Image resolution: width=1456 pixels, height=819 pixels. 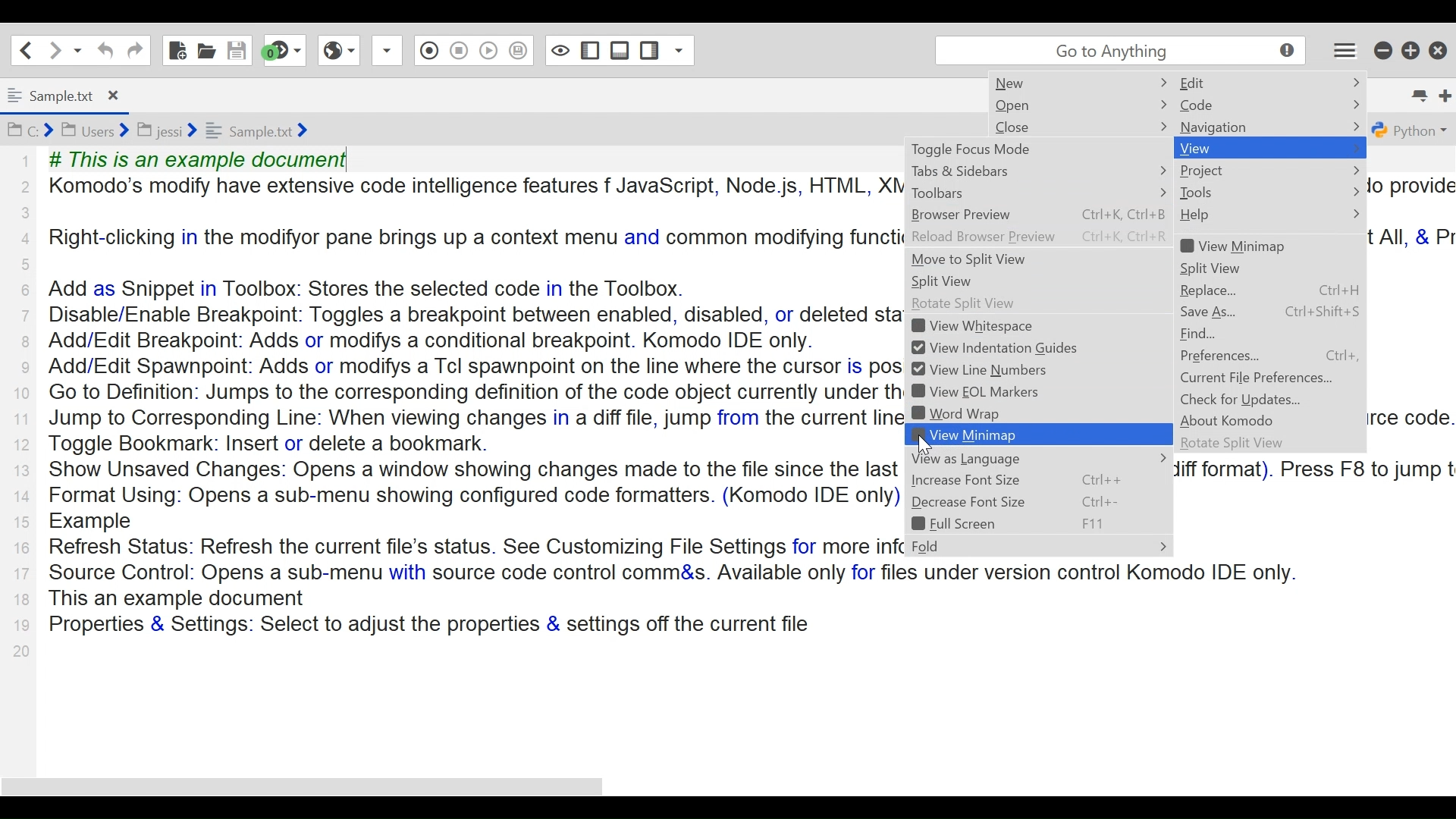 What do you see at coordinates (1271, 312) in the screenshot?
I see `Save As... Ctrl+Shift+S` at bounding box center [1271, 312].